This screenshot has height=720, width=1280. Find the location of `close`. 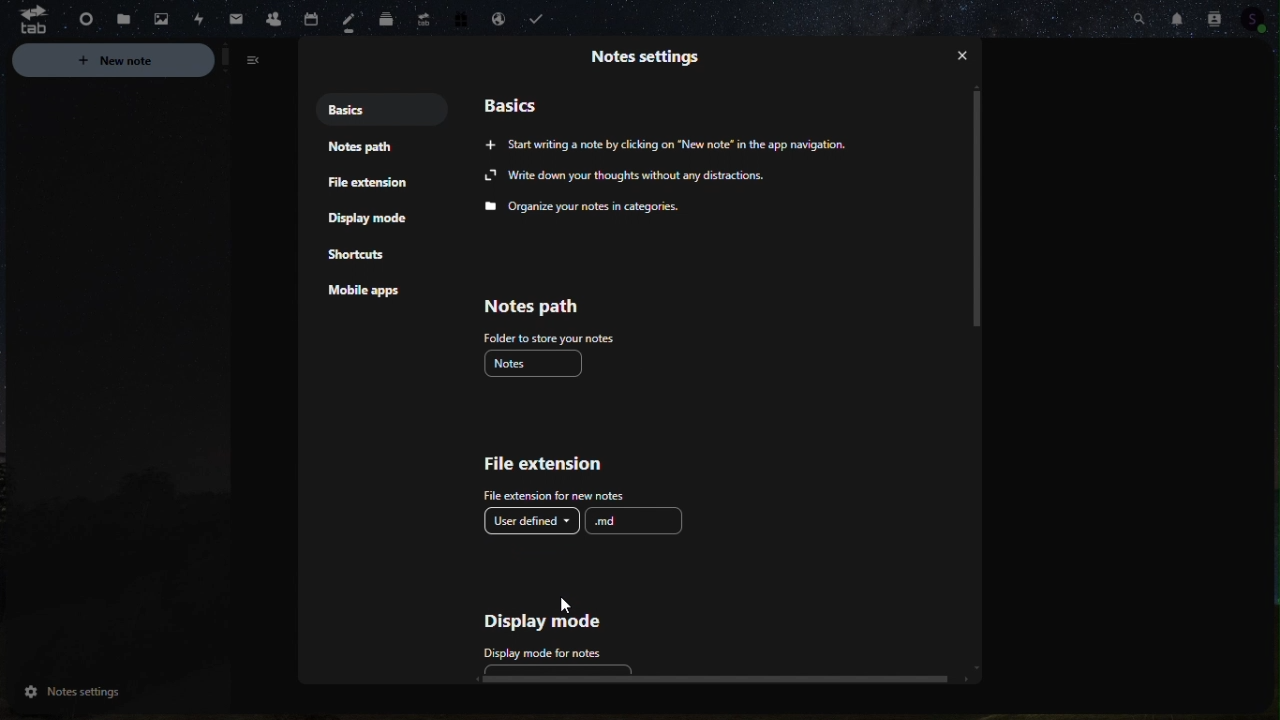

close is located at coordinates (963, 58).